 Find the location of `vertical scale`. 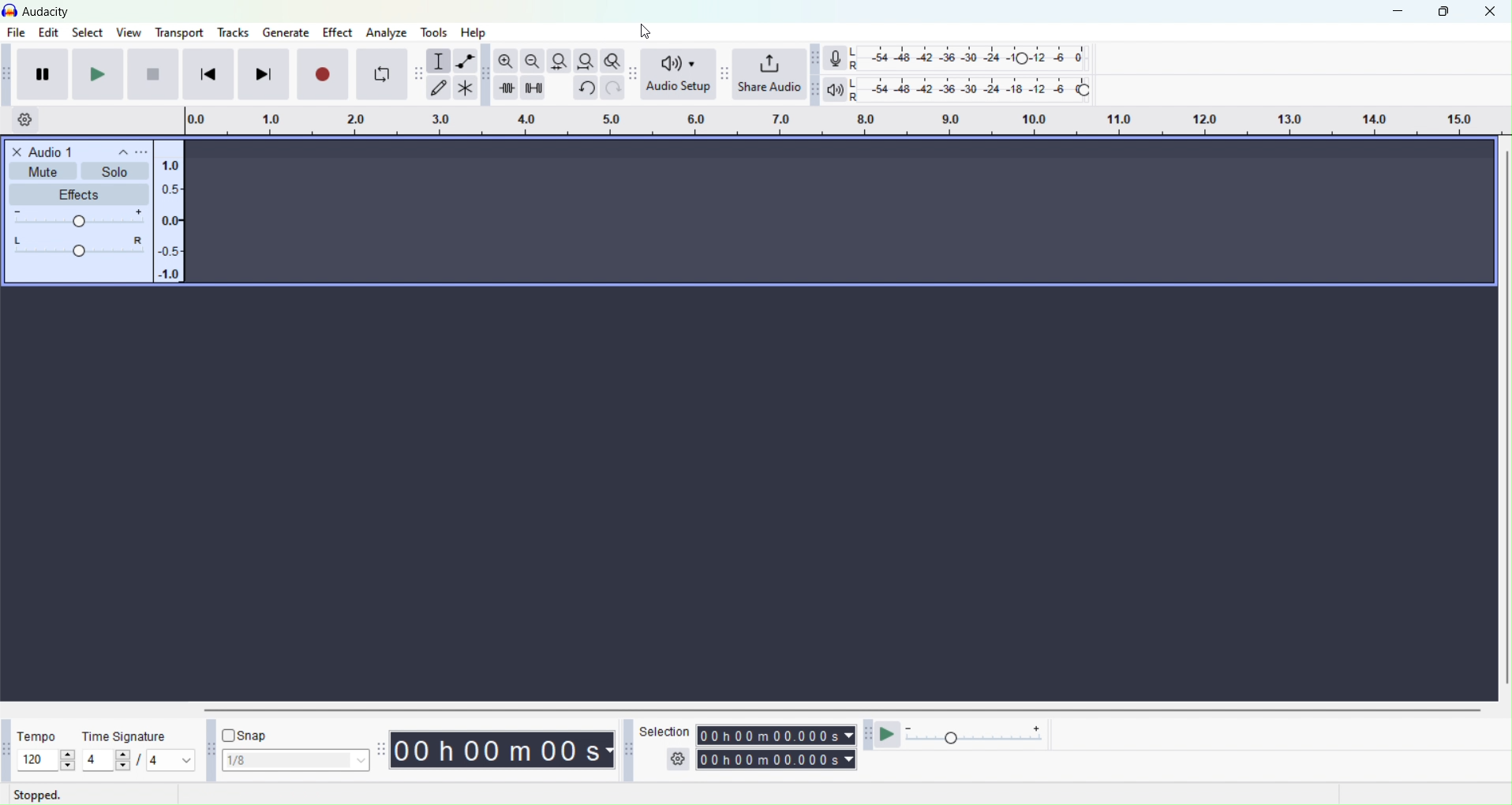

vertical scale is located at coordinates (172, 214).